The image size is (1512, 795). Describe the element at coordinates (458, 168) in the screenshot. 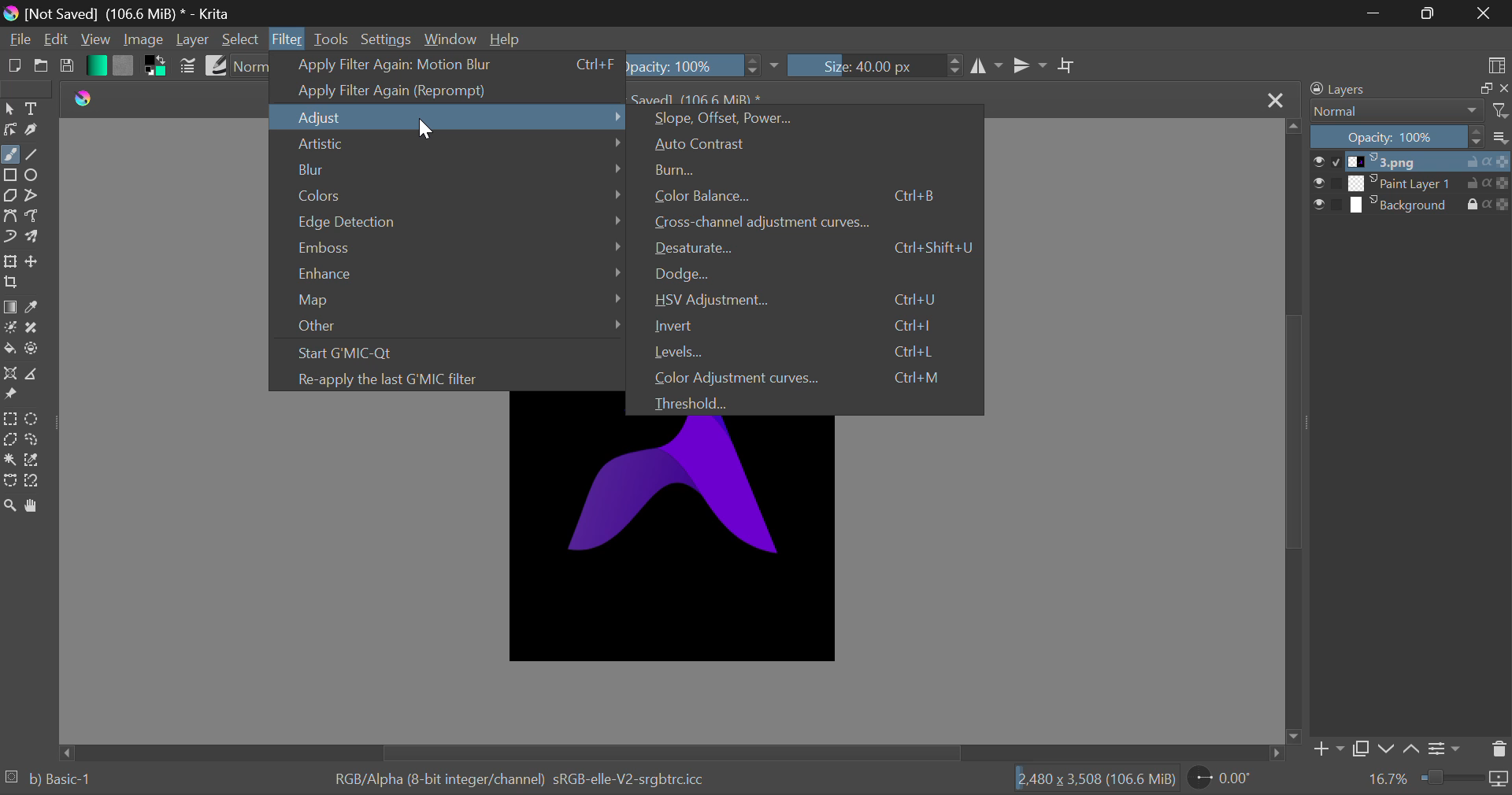

I see `Blur` at that location.